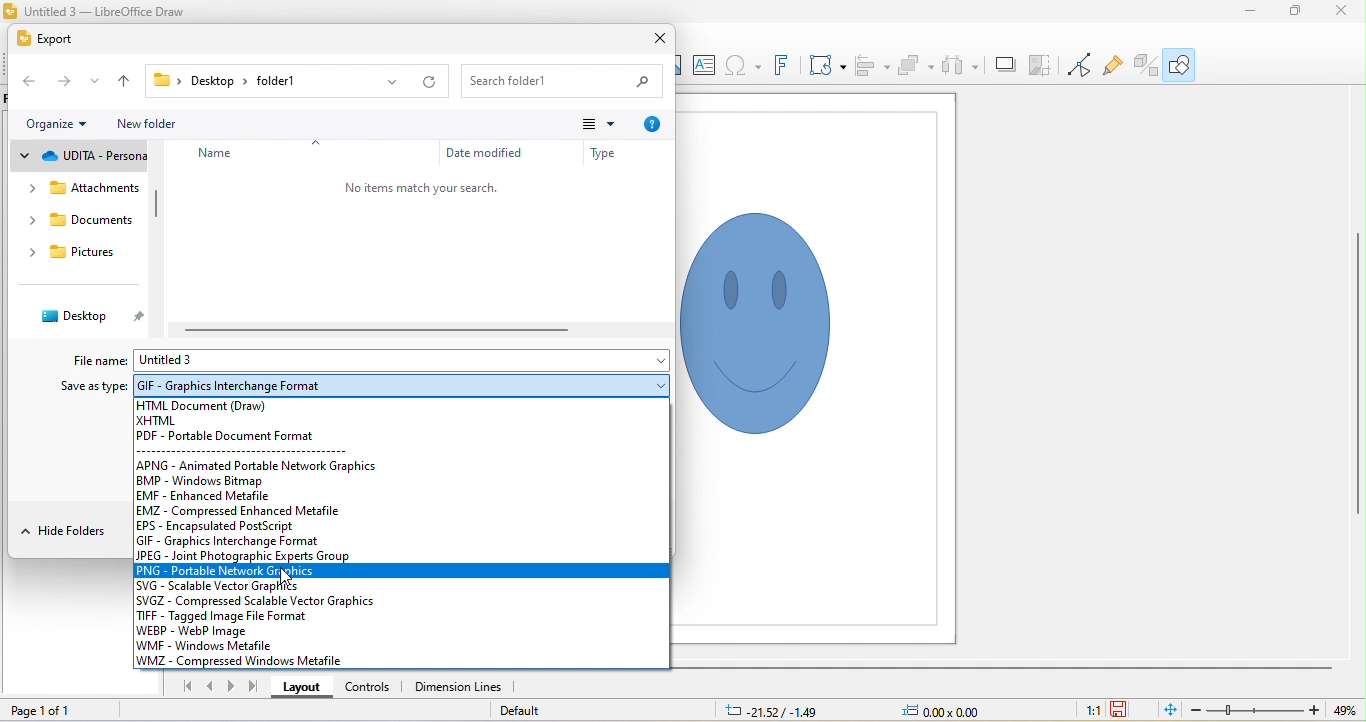 The image size is (1366, 722). I want to click on page 1 of 1, so click(42, 711).